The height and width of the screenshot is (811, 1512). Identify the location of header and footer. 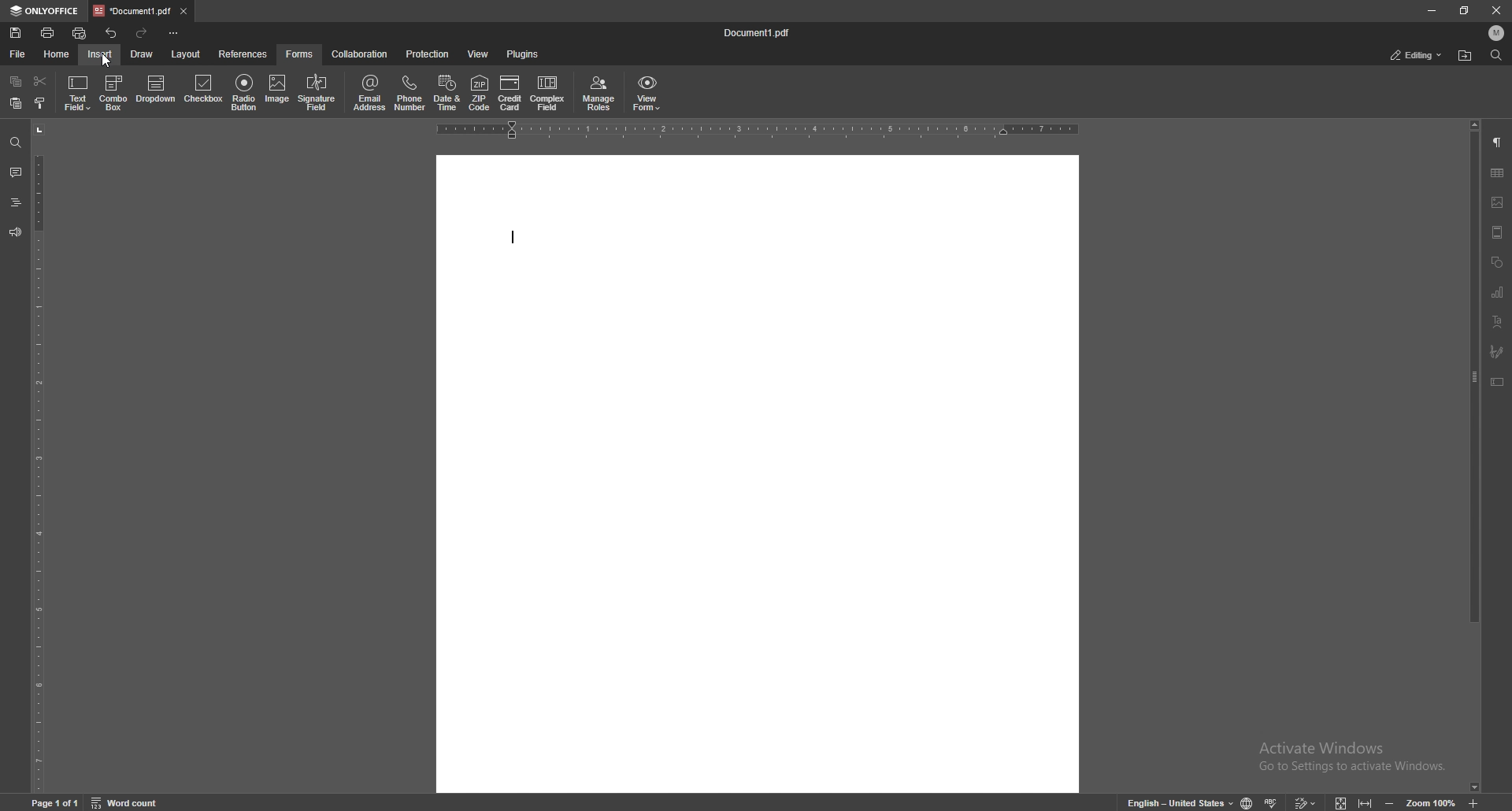
(1499, 233).